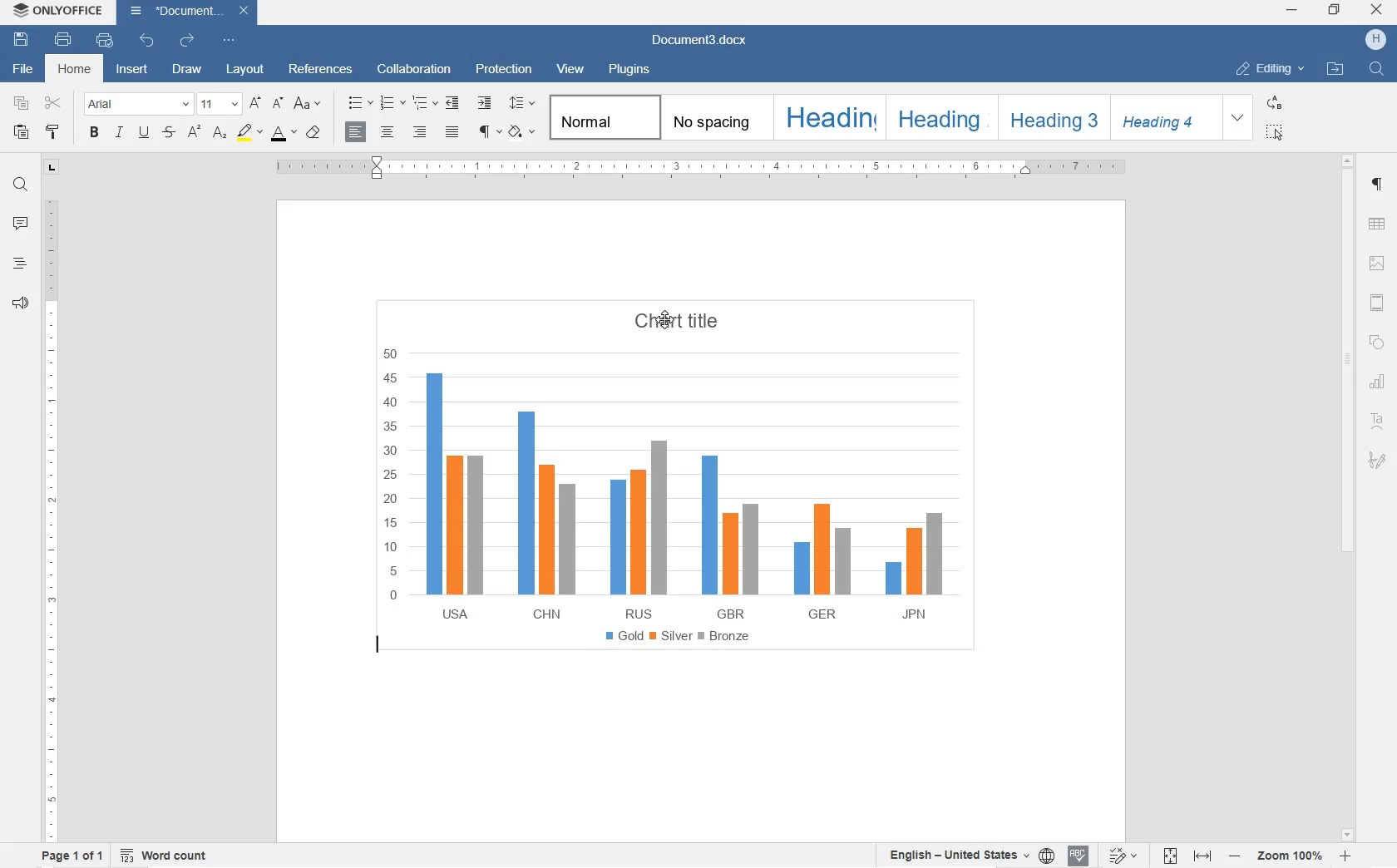 Image resolution: width=1397 pixels, height=868 pixels. I want to click on HEADER & FOOTERS, so click(1376, 303).